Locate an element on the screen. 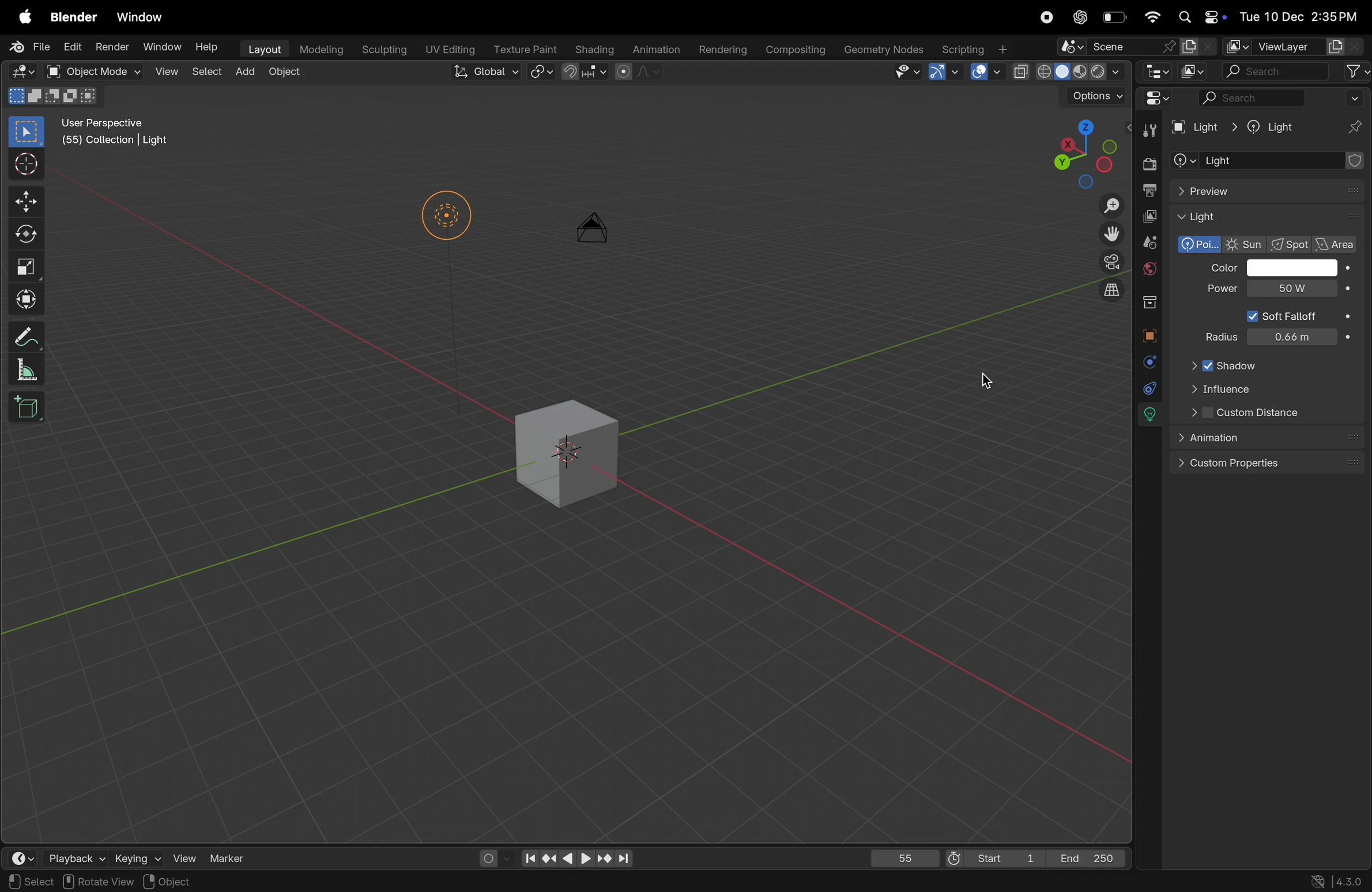 The height and width of the screenshot is (892, 1372). viewpoint is located at coordinates (1075, 152).